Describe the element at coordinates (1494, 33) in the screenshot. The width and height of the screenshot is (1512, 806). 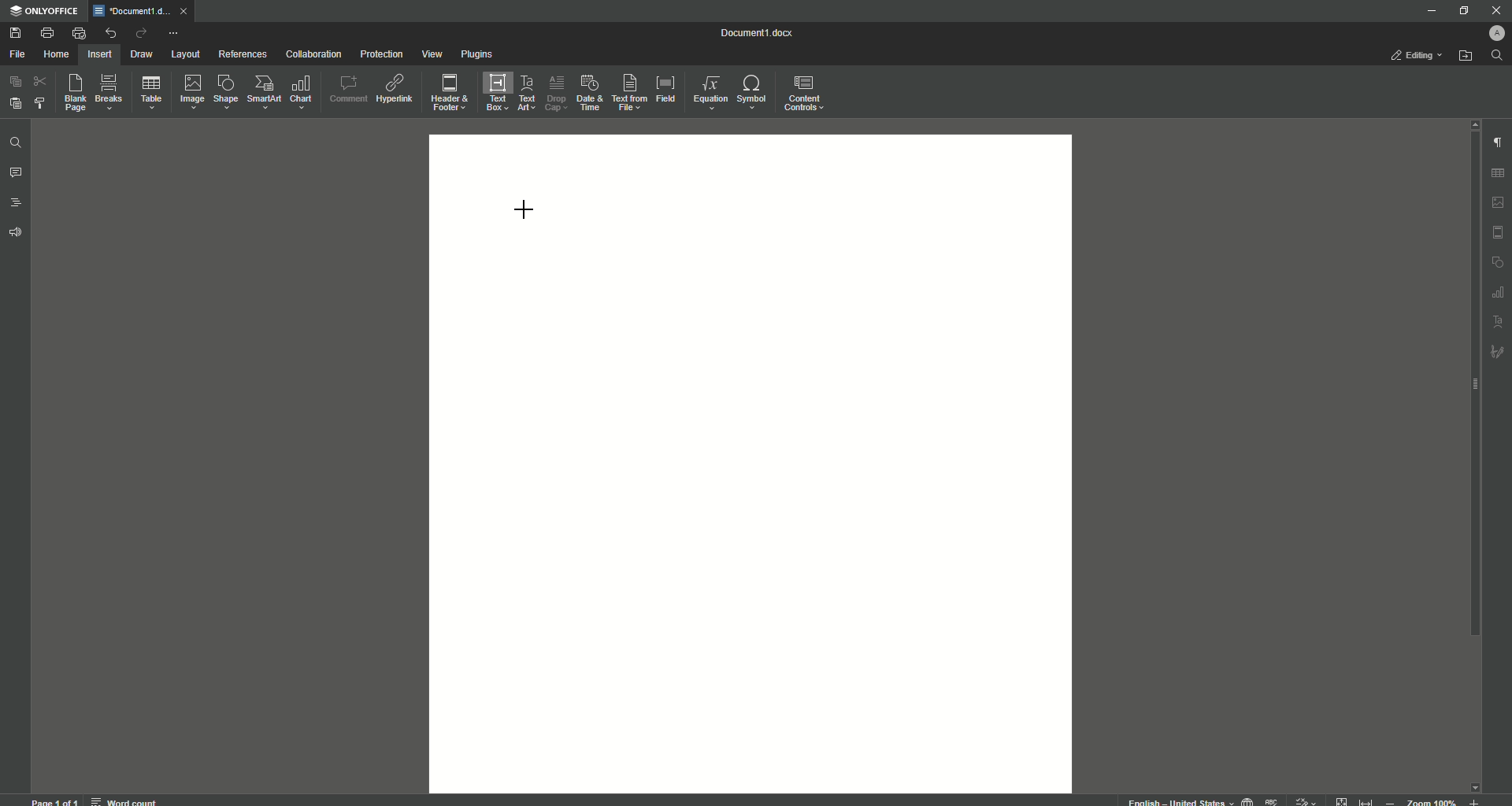
I see `Profile` at that location.